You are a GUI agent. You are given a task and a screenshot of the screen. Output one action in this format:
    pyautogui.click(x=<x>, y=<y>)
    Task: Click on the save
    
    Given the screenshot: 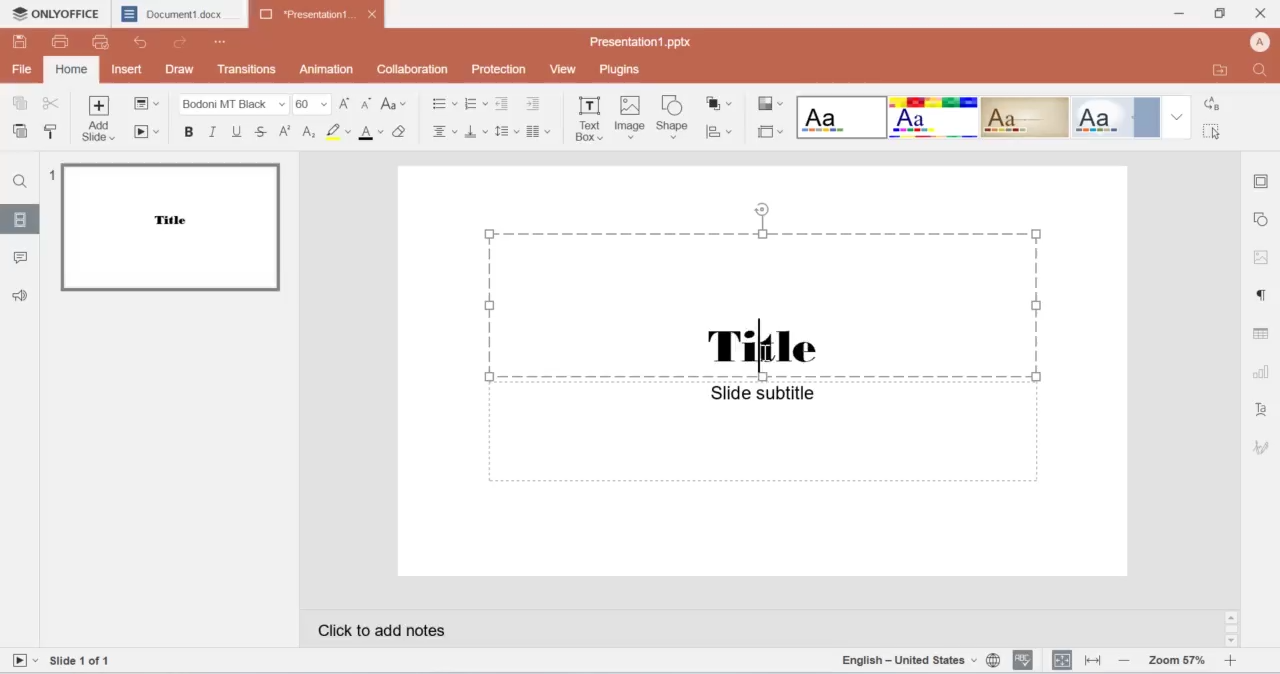 What is the action you would take?
    pyautogui.click(x=21, y=41)
    